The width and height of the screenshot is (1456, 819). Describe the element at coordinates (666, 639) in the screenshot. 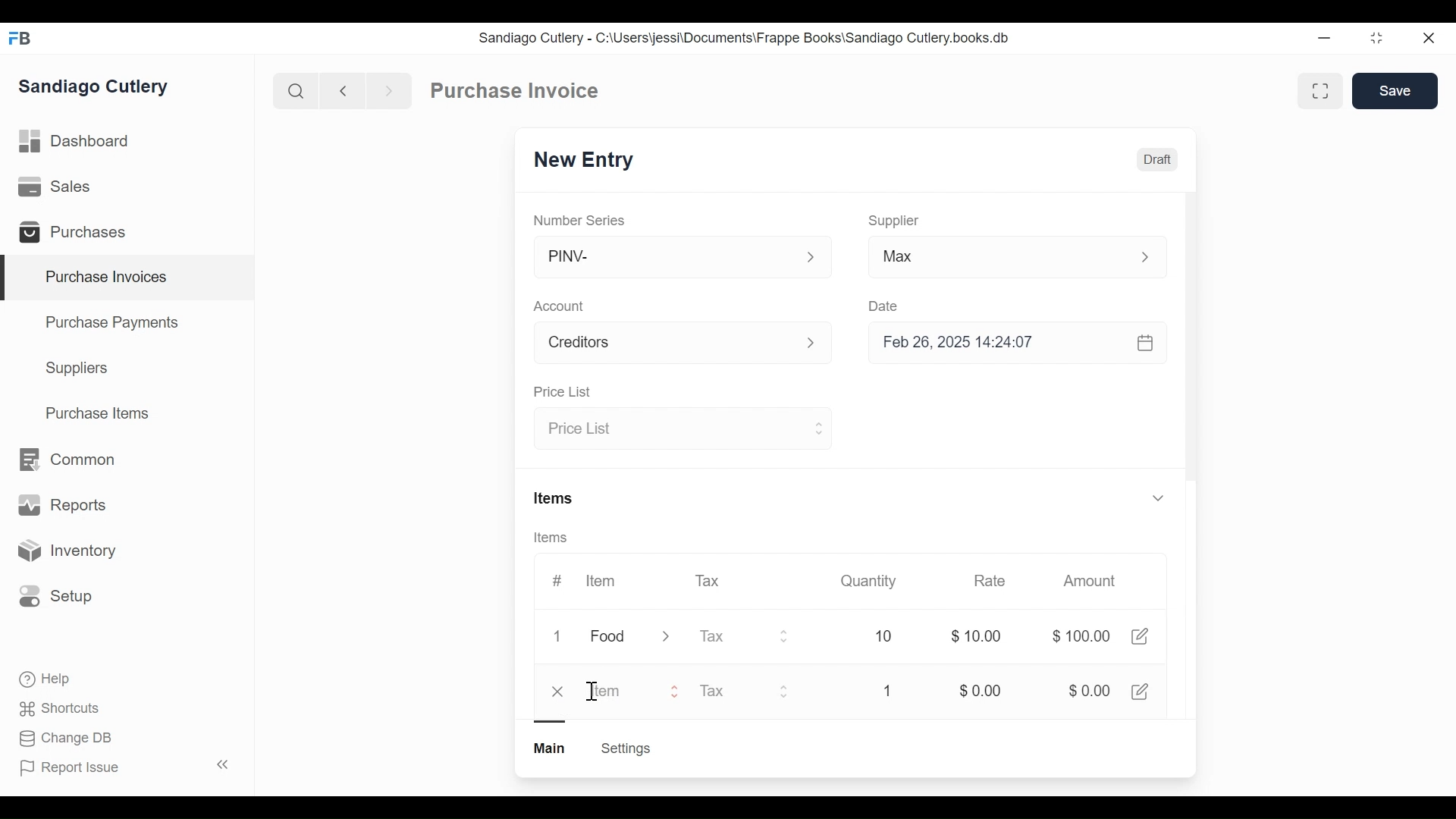

I see `Expand` at that location.